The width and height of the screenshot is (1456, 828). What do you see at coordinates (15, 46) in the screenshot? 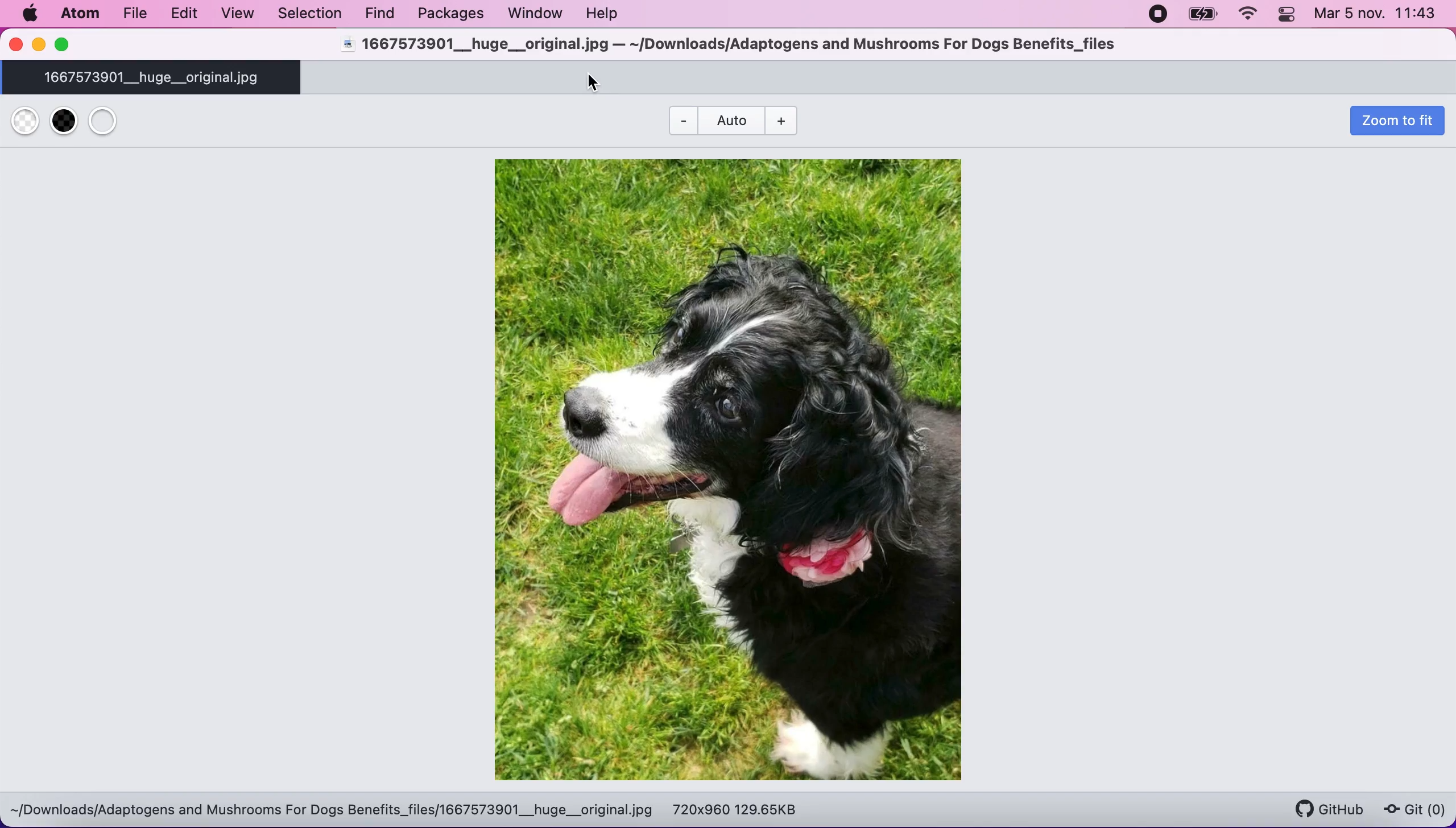
I see `close` at bounding box center [15, 46].